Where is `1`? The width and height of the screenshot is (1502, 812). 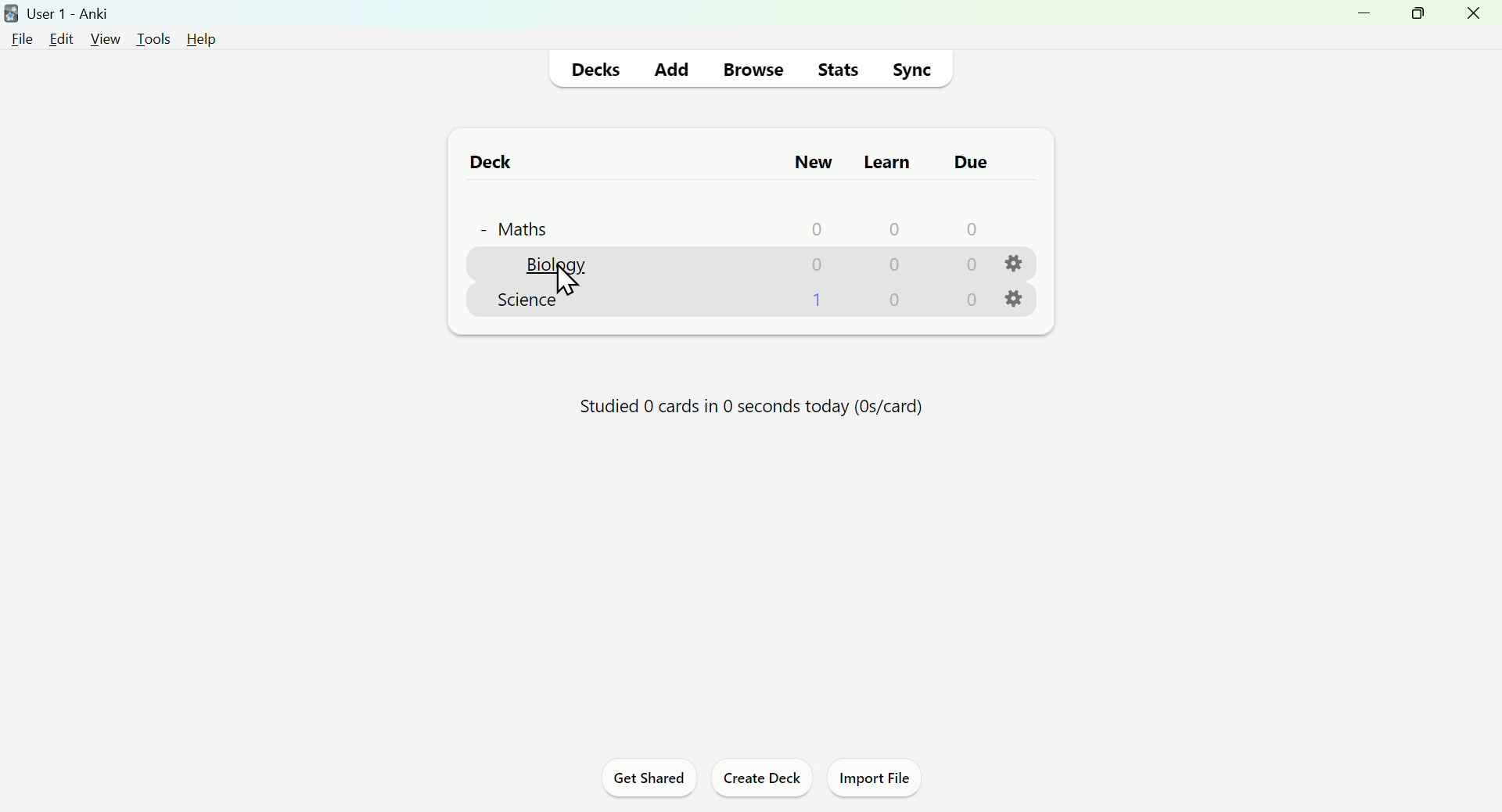
1 is located at coordinates (817, 304).